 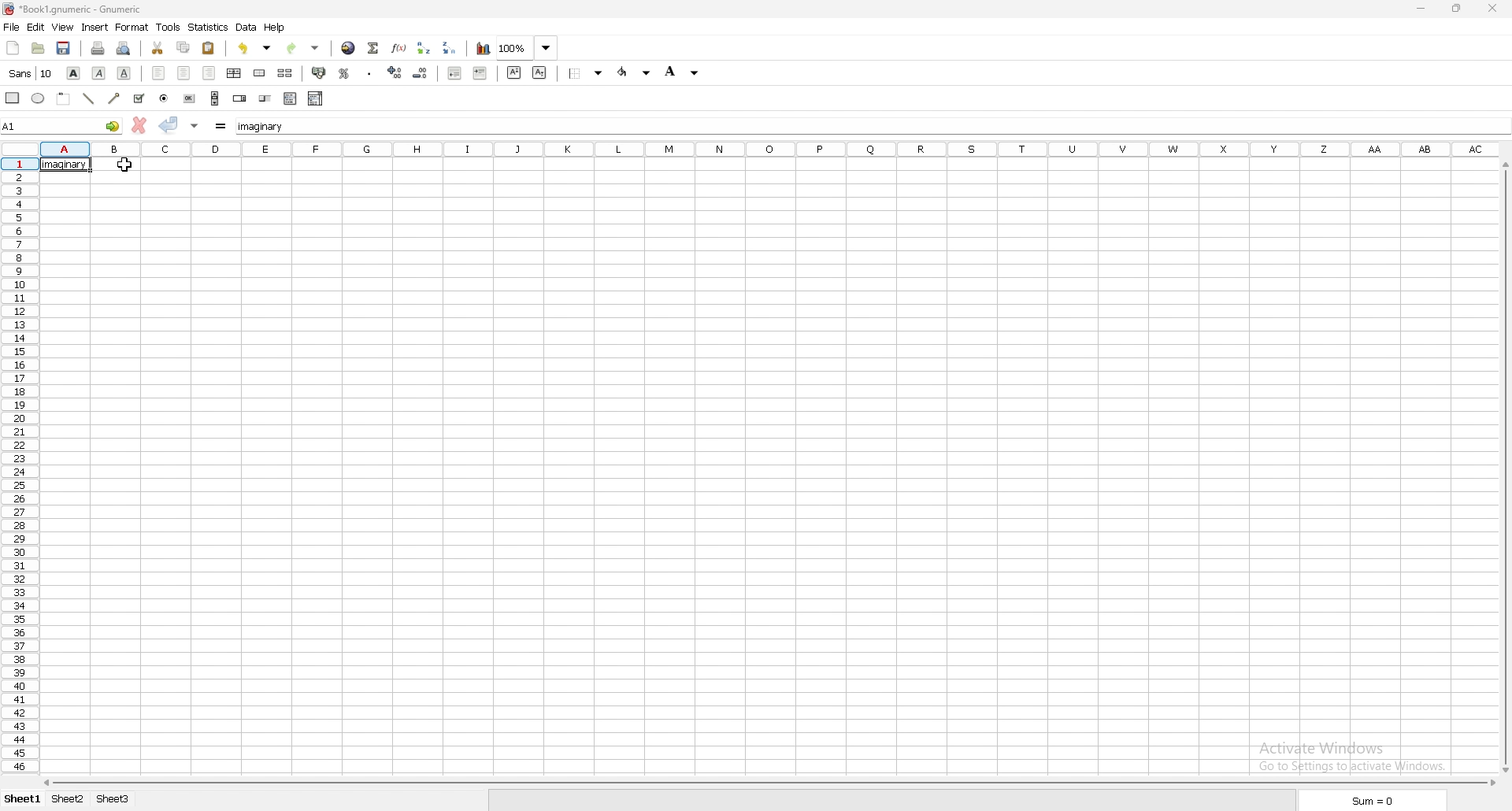 I want to click on file name, so click(x=72, y=9).